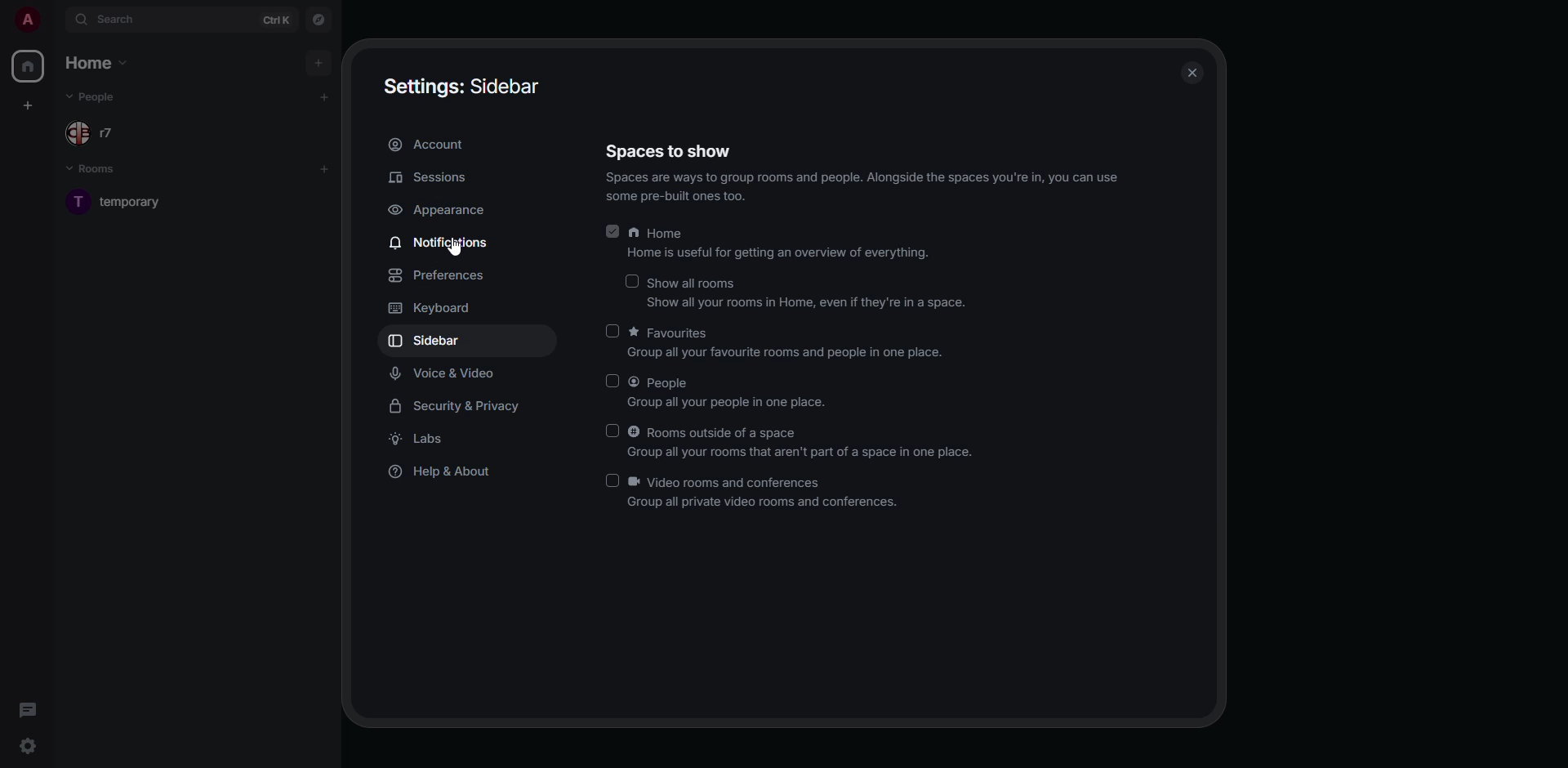  I want to click on quick settings, so click(28, 745).